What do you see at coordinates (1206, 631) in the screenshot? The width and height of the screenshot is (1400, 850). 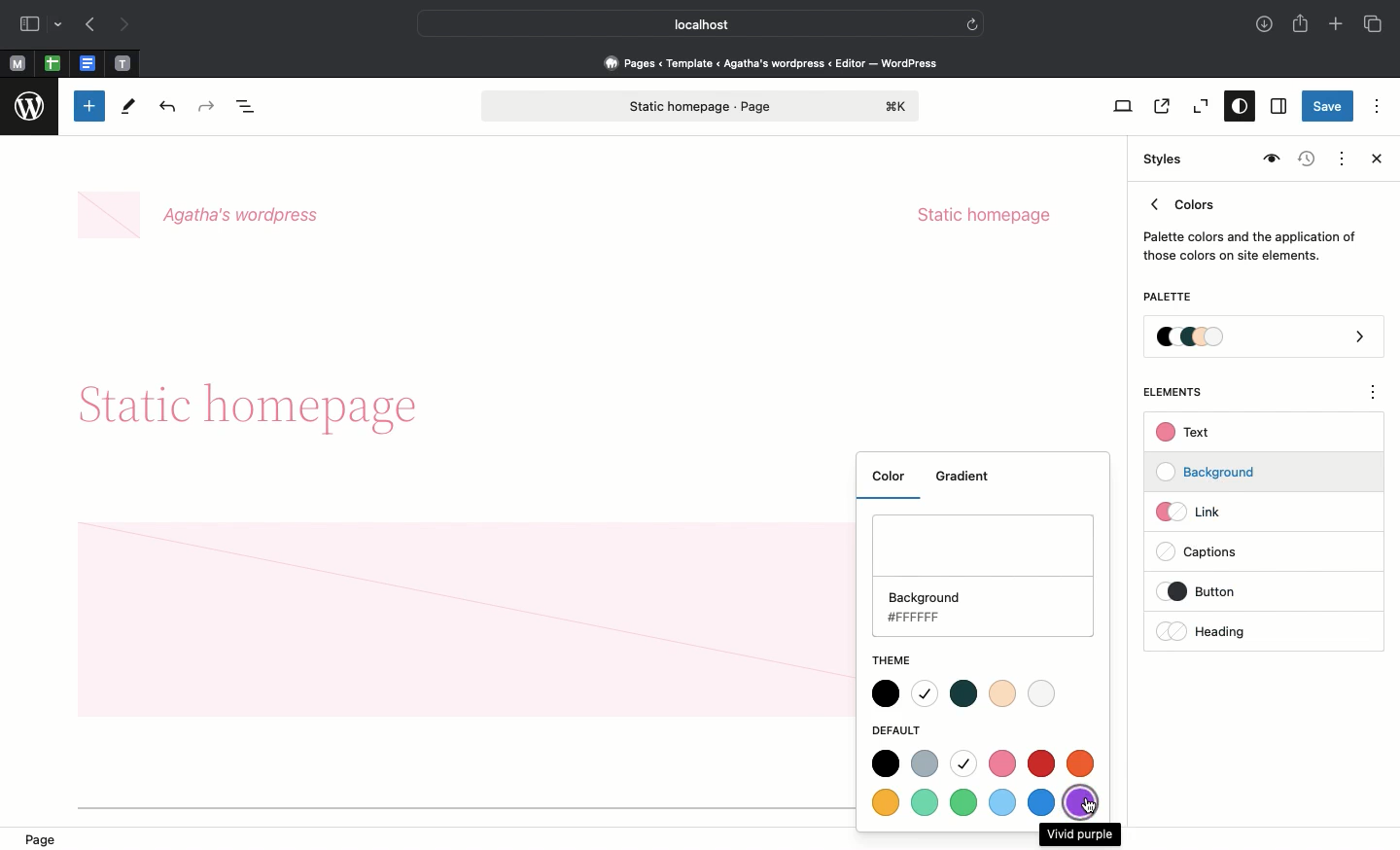 I see `Heading` at bounding box center [1206, 631].